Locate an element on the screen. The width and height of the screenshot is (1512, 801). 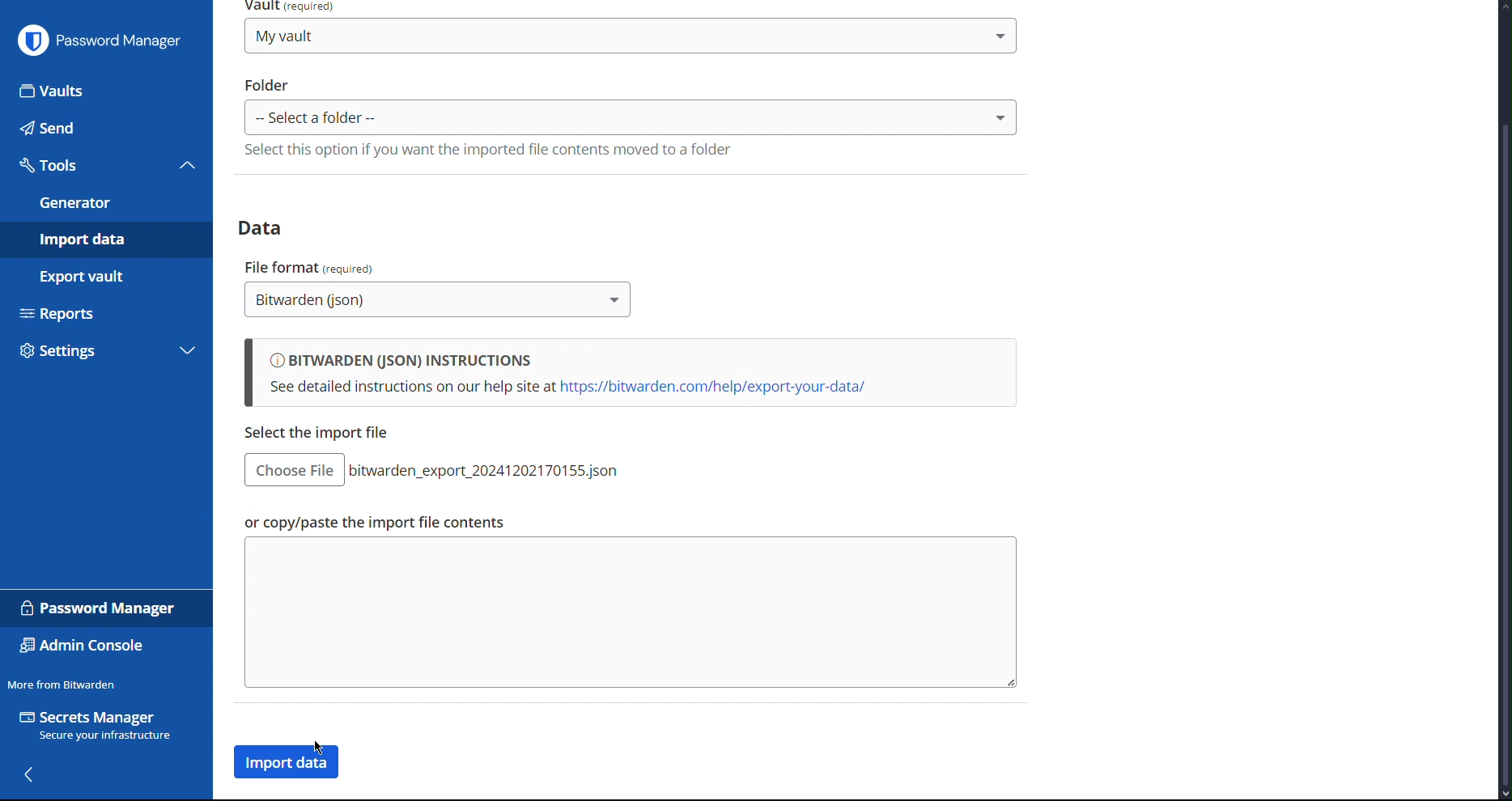
expand settings is located at coordinates (188, 353).